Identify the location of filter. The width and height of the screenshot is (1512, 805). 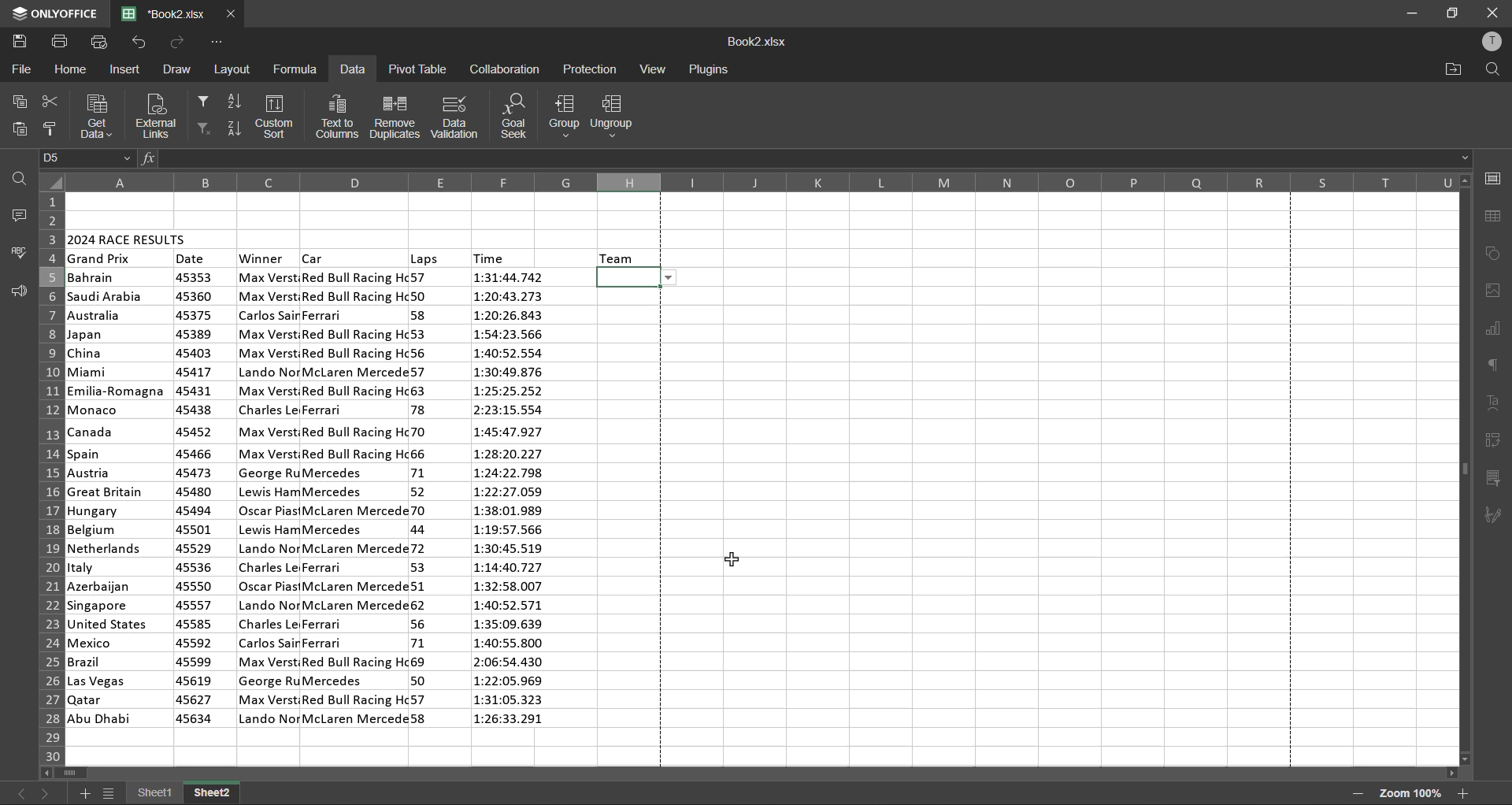
(202, 99).